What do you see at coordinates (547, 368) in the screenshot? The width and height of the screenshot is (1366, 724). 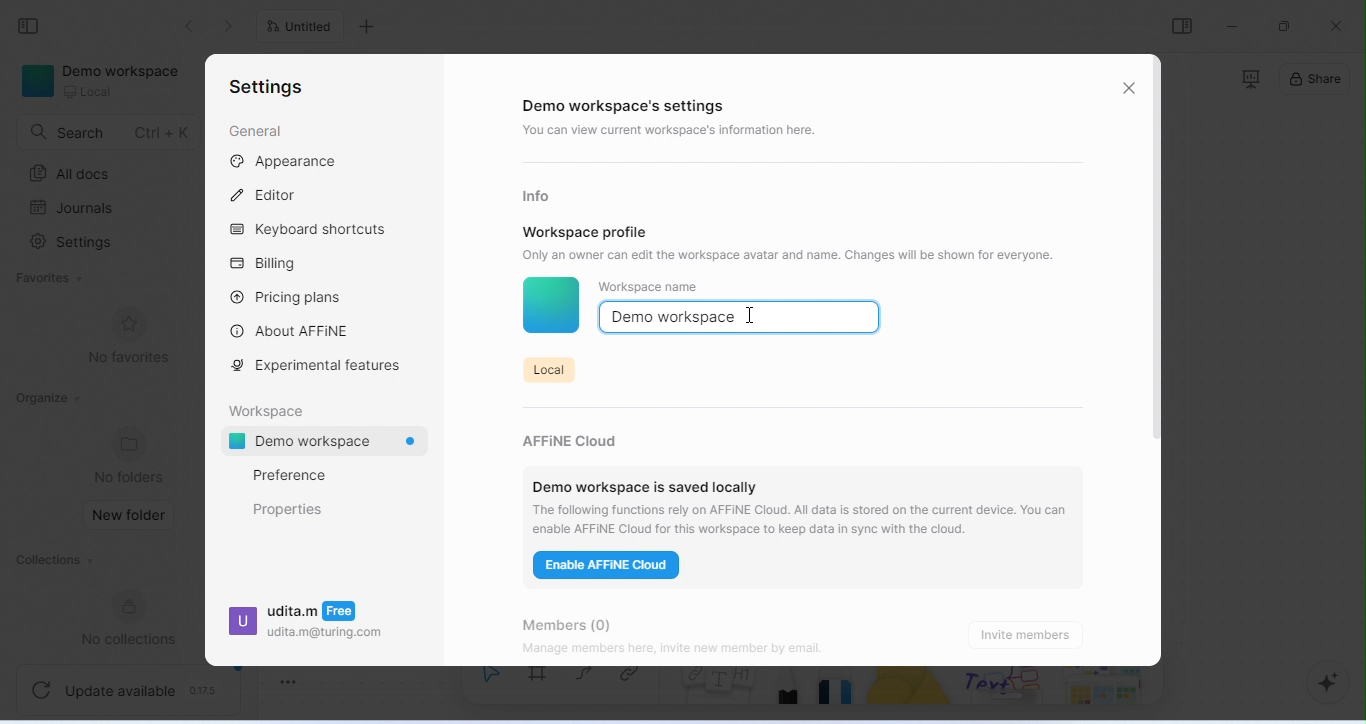 I see `local` at bounding box center [547, 368].